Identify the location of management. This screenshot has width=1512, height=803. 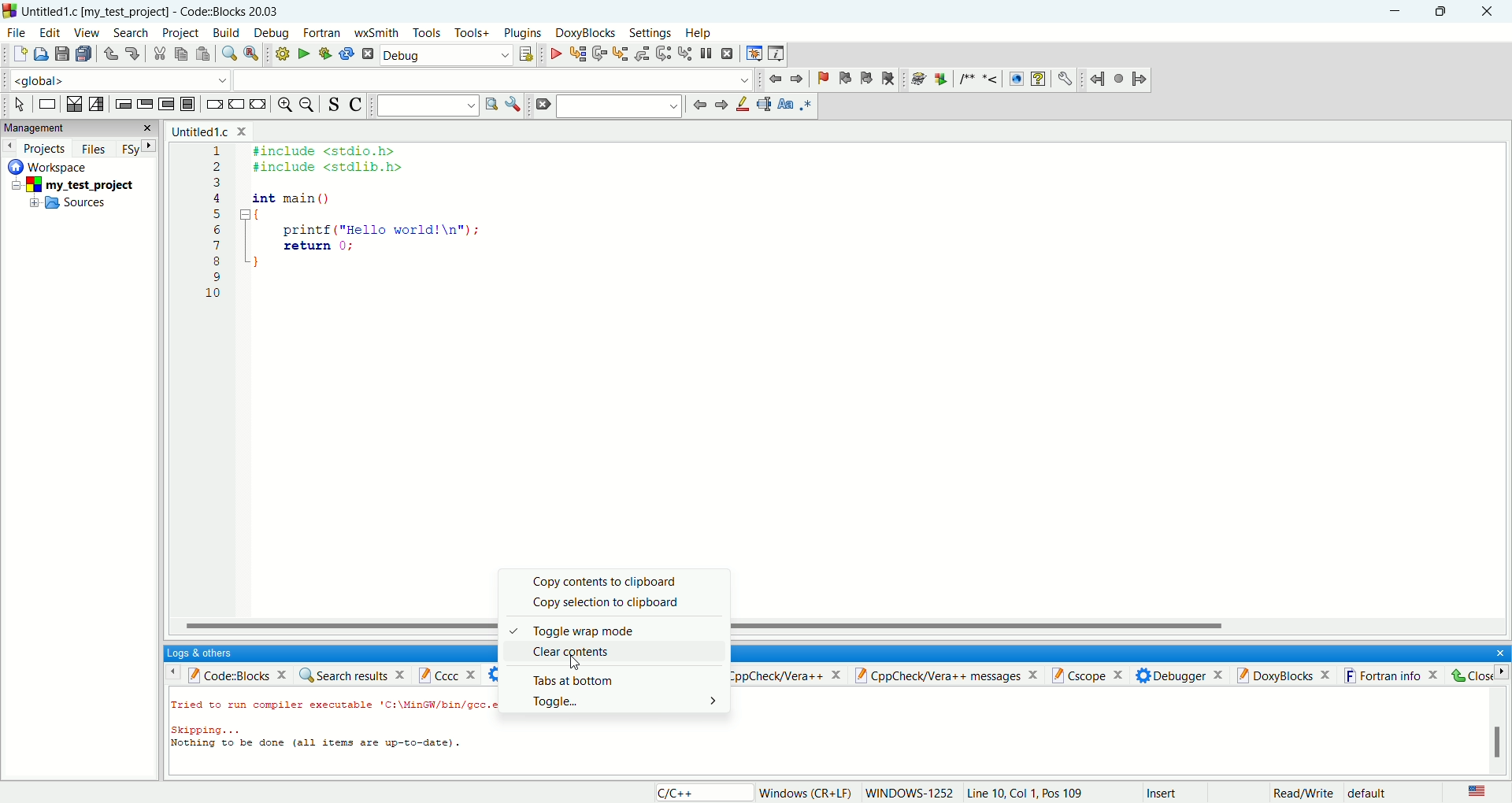
(77, 128).